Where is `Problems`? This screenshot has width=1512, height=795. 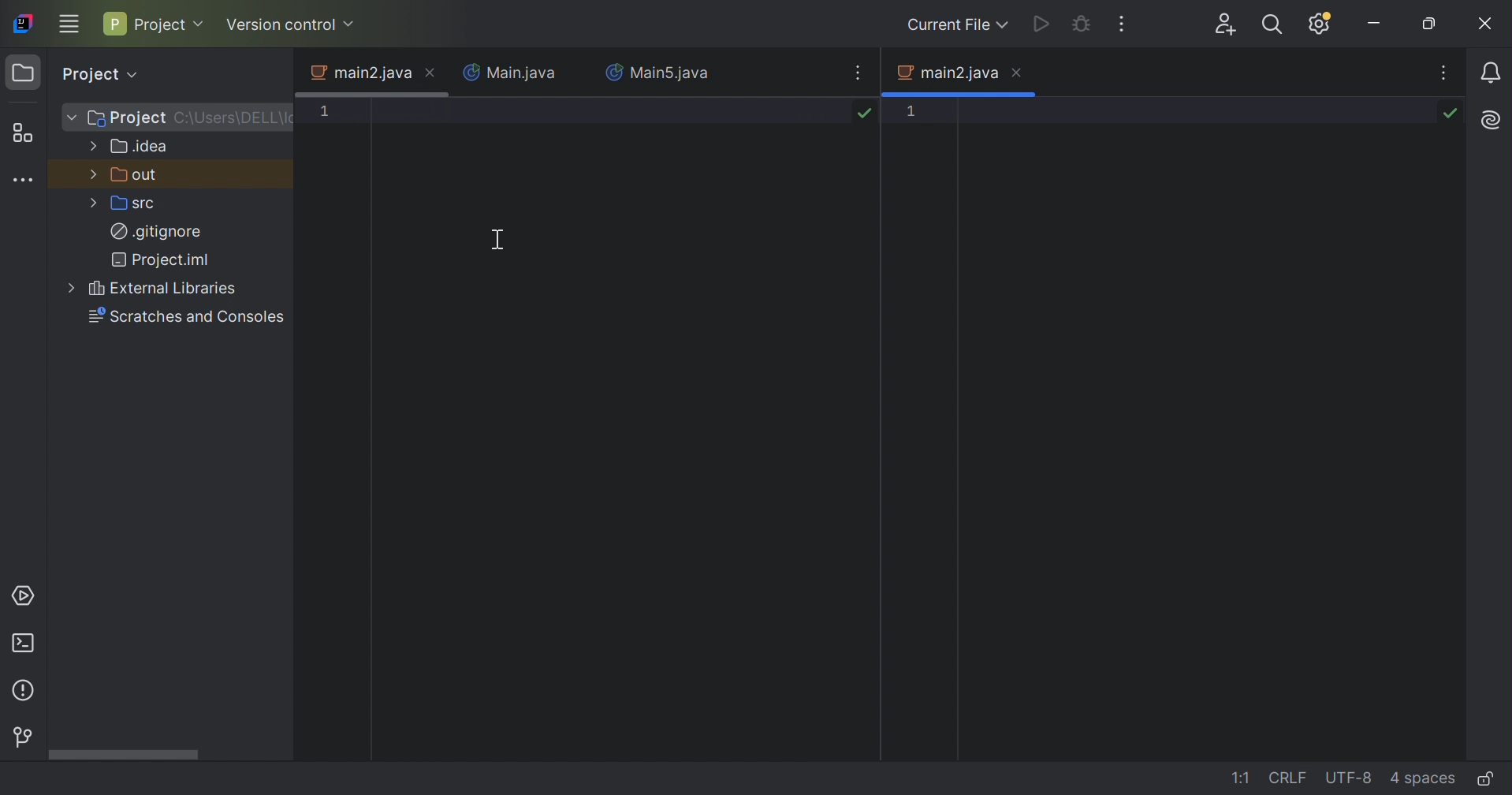
Problems is located at coordinates (28, 691).